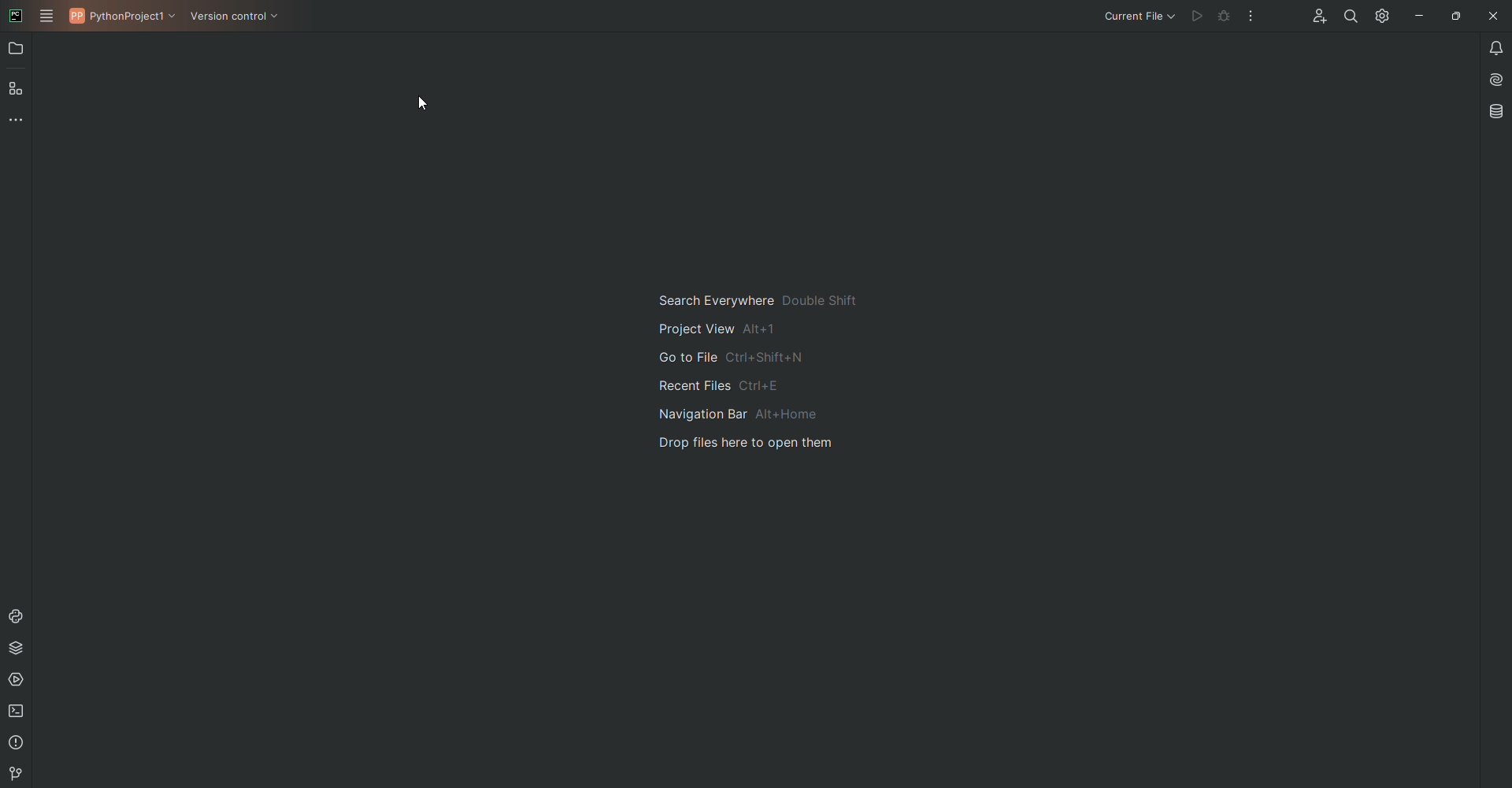  Describe the element at coordinates (1492, 48) in the screenshot. I see `Notifications` at that location.